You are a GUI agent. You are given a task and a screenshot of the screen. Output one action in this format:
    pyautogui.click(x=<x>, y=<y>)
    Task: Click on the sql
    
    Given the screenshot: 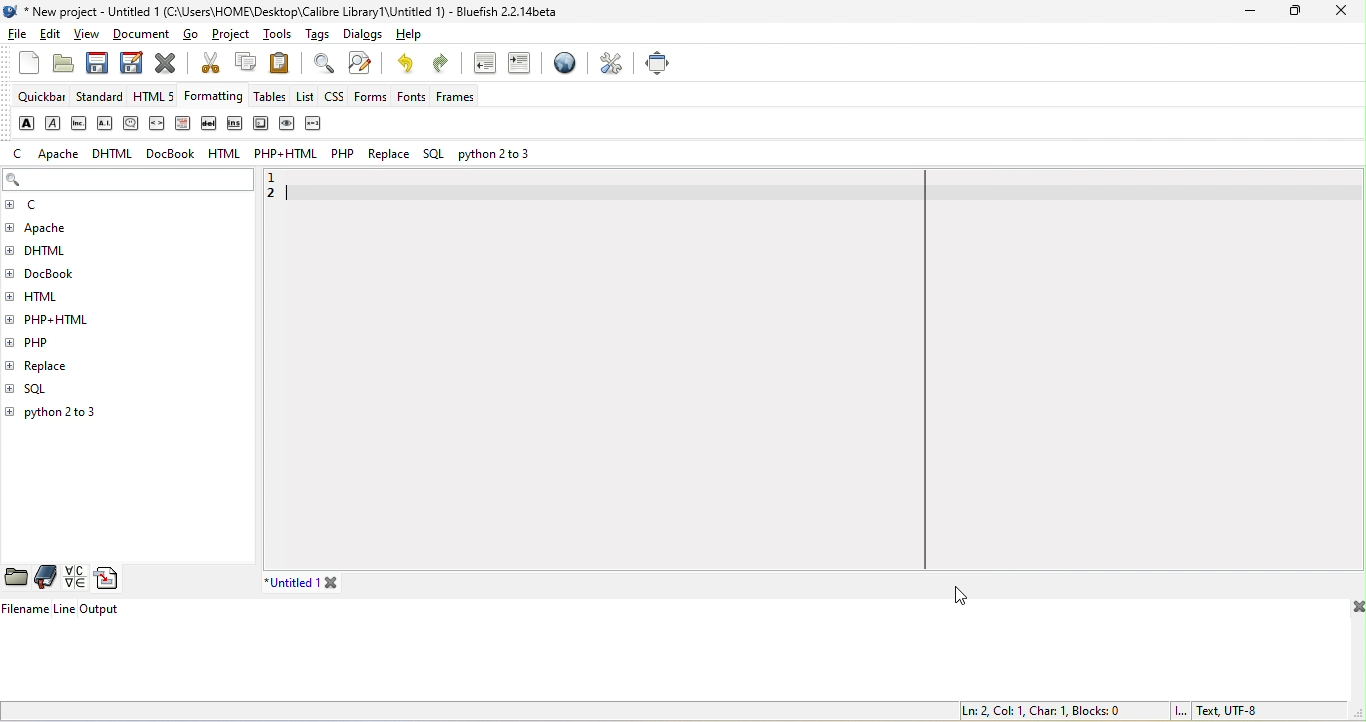 What is the action you would take?
    pyautogui.click(x=47, y=389)
    